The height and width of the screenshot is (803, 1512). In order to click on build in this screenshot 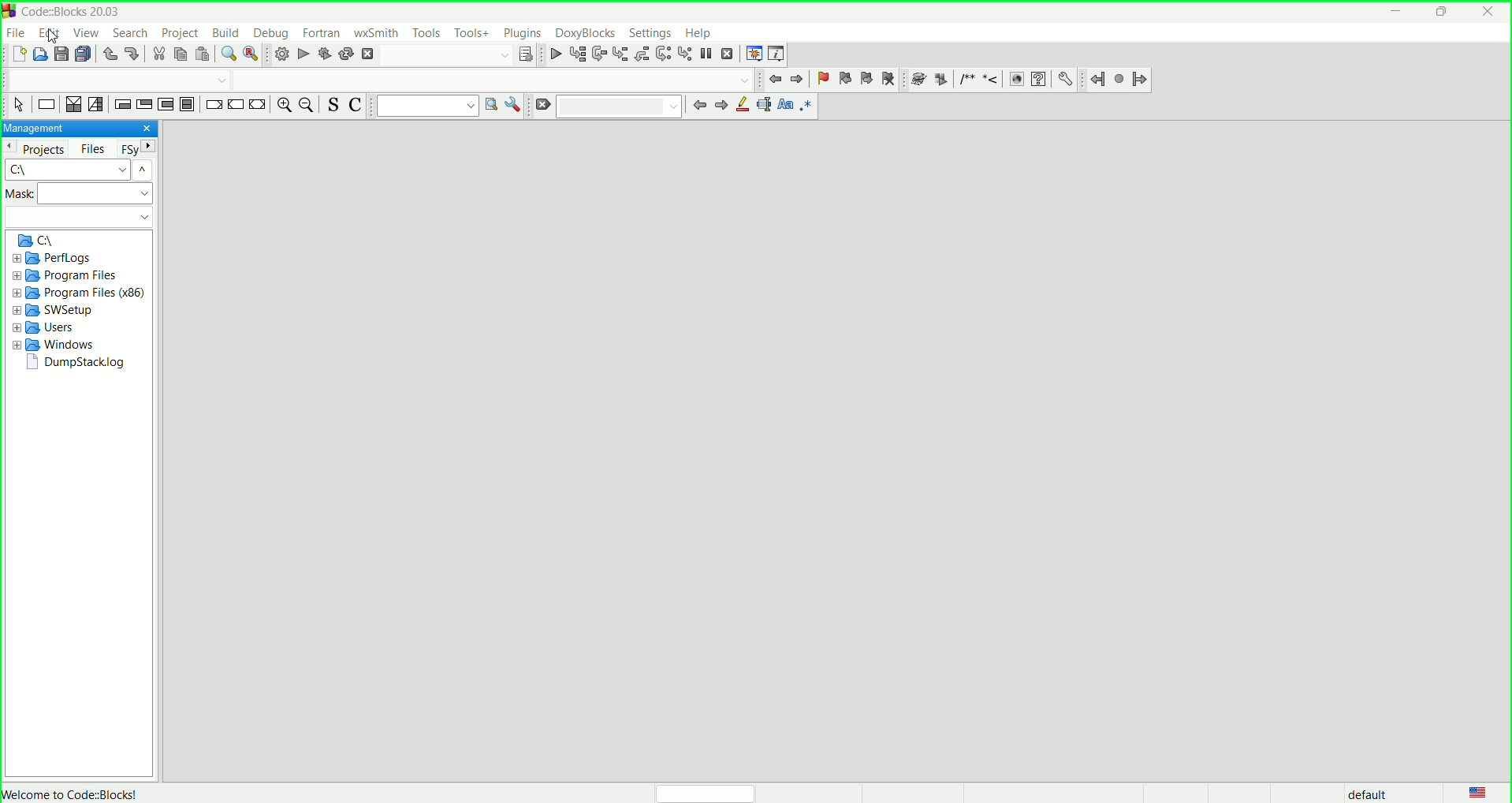, I will do `click(227, 32)`.